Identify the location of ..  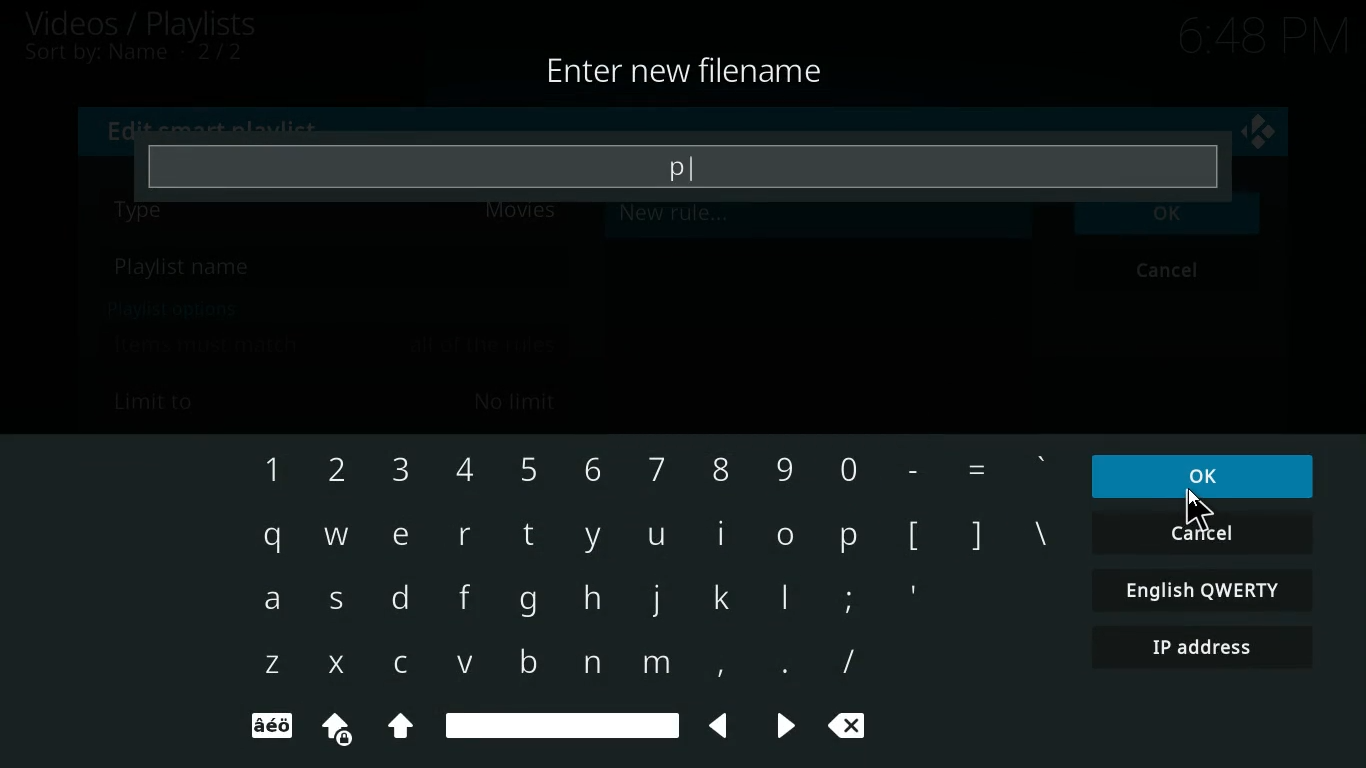
(779, 667).